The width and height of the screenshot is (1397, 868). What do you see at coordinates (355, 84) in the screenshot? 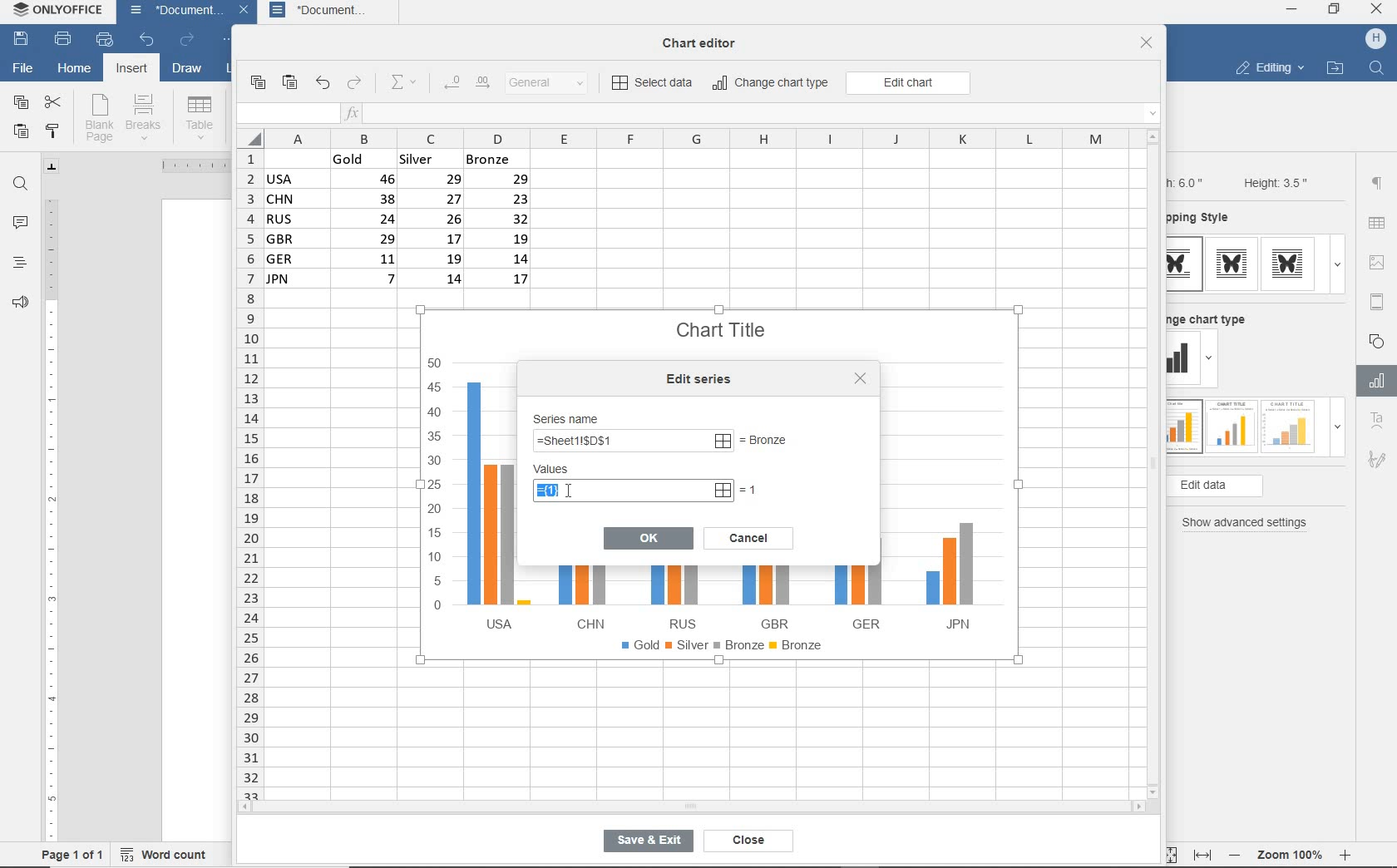
I see `redo ` at bounding box center [355, 84].